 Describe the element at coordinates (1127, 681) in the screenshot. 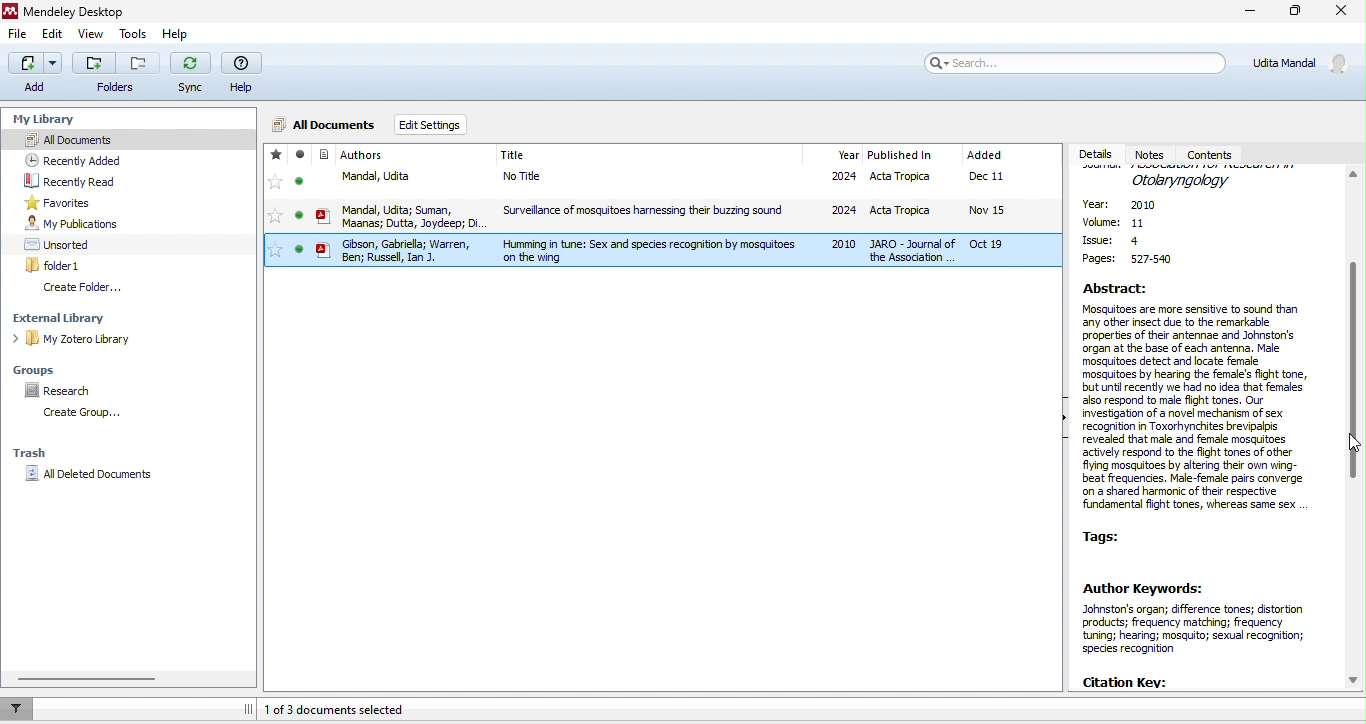

I see `citation key` at that location.